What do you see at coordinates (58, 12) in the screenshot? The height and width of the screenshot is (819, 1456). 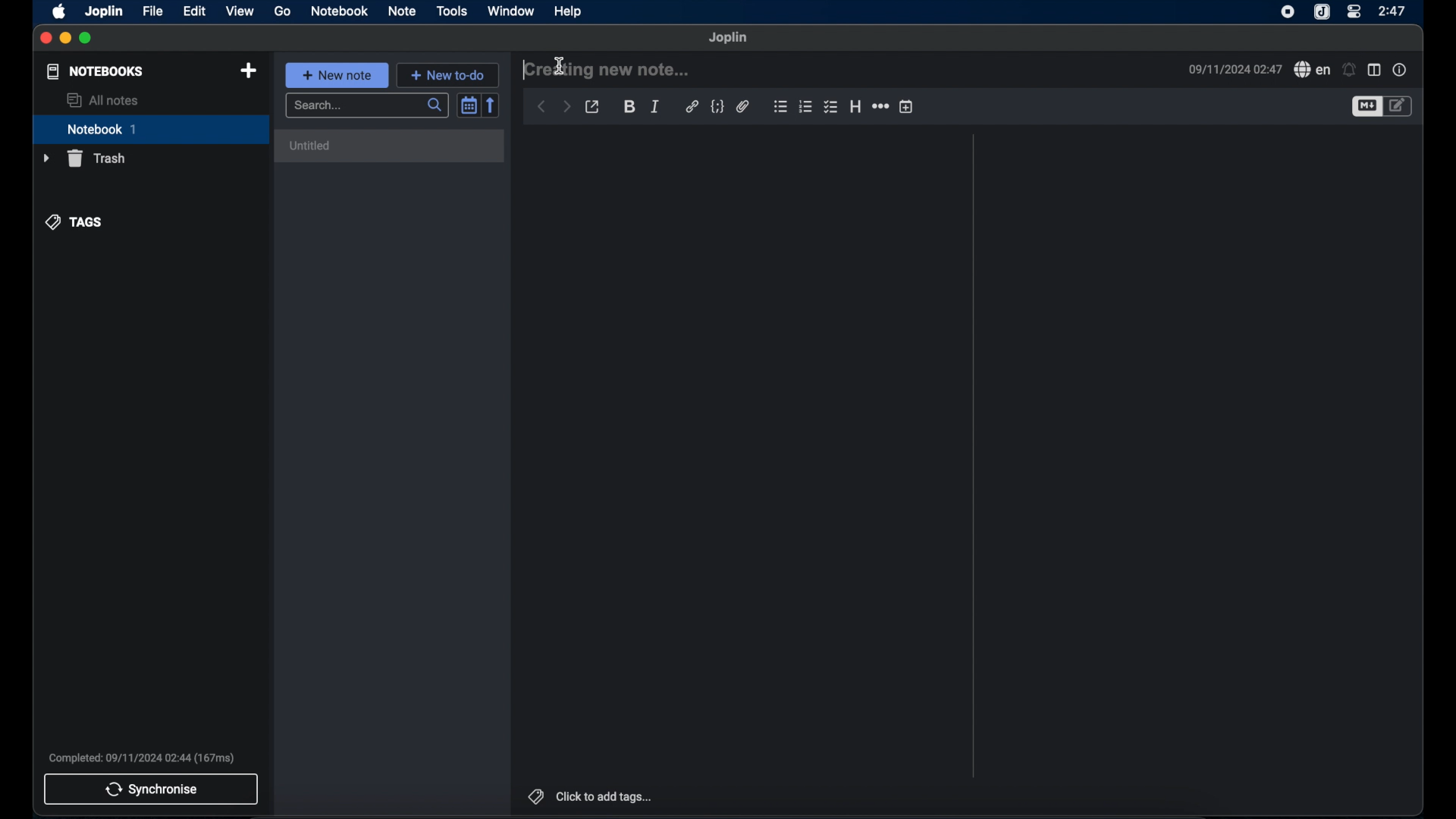 I see `appleicon` at bounding box center [58, 12].